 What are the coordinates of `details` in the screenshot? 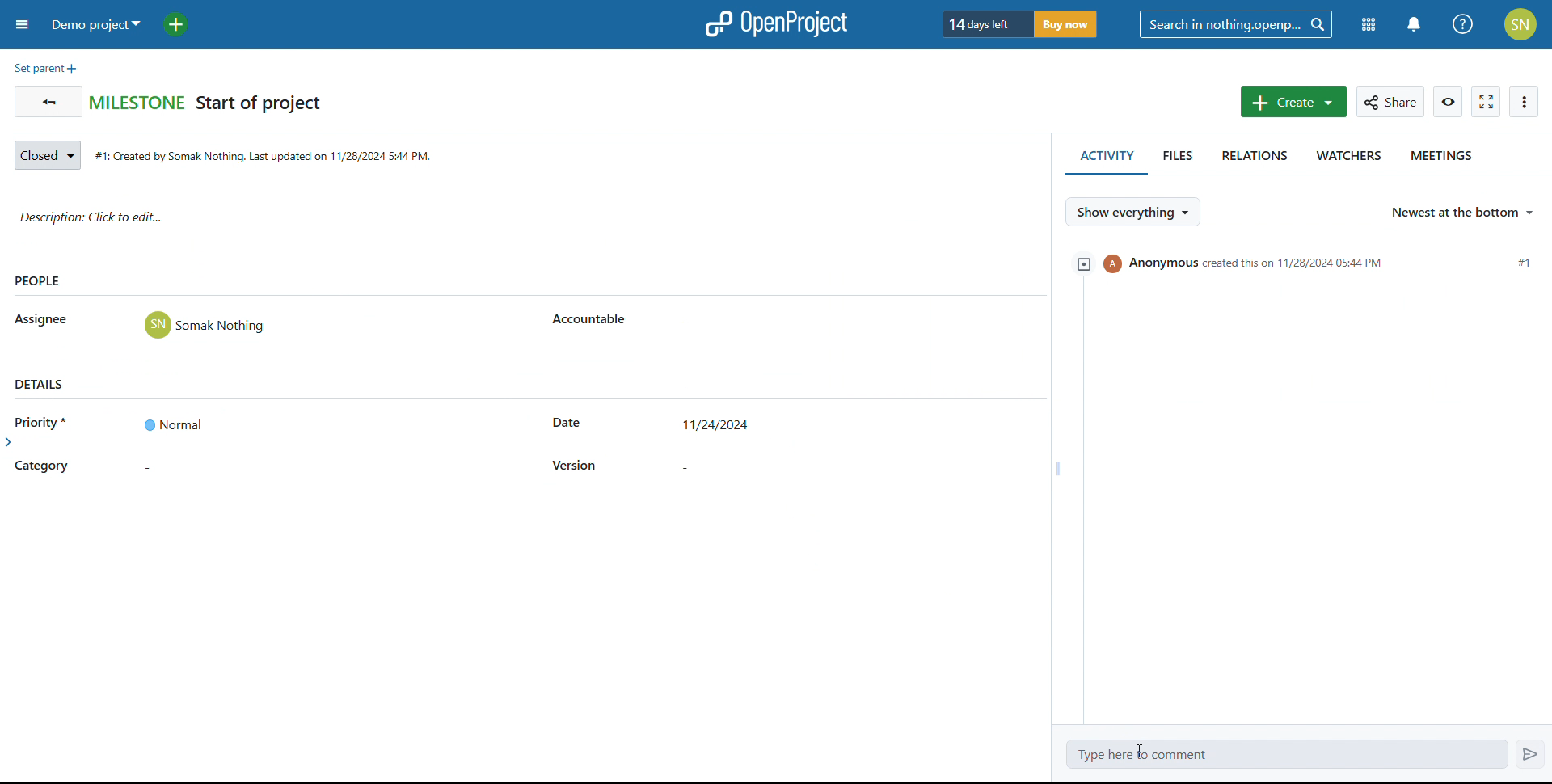 It's located at (40, 383).